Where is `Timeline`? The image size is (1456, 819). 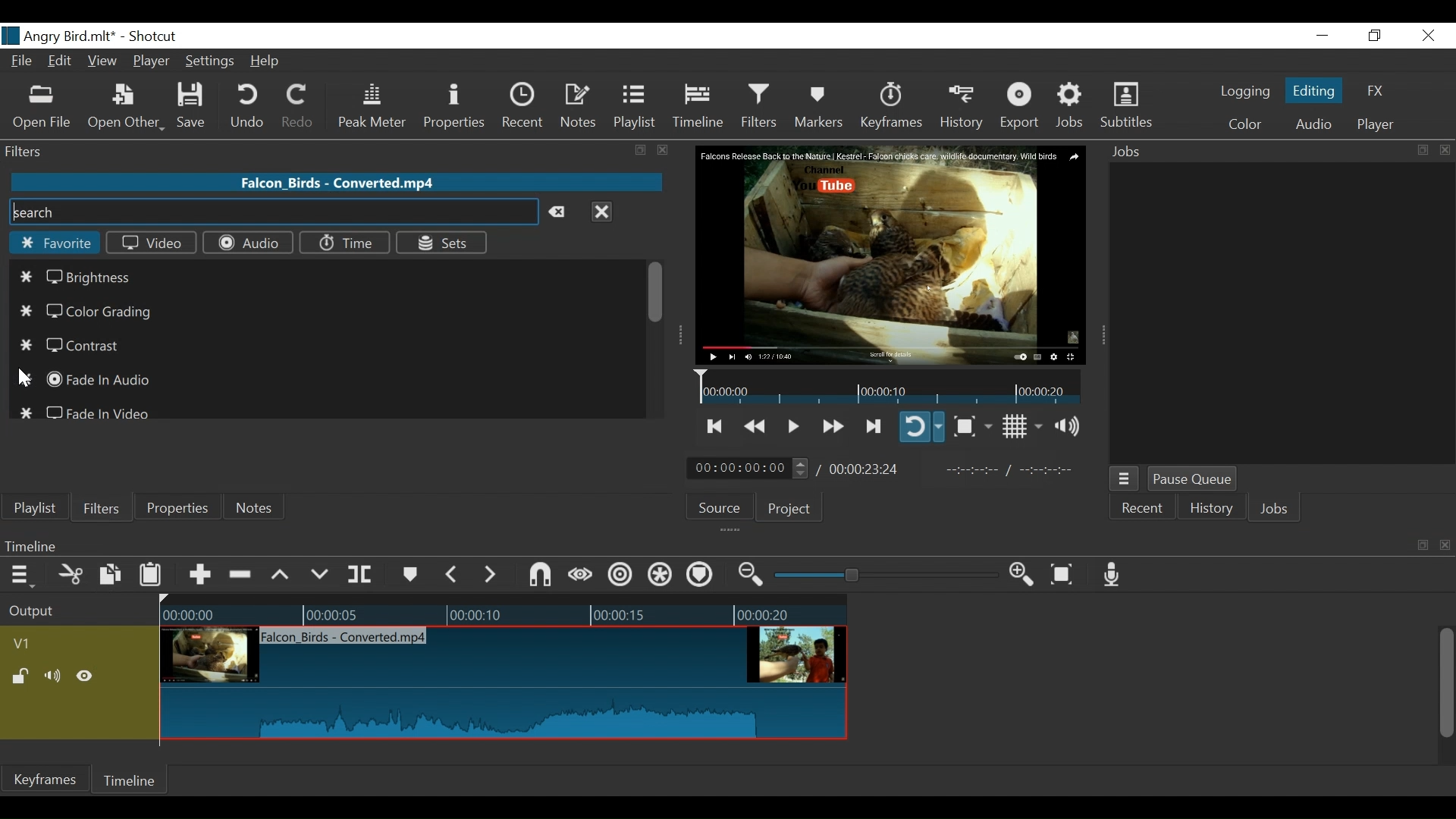
Timeline is located at coordinates (699, 106).